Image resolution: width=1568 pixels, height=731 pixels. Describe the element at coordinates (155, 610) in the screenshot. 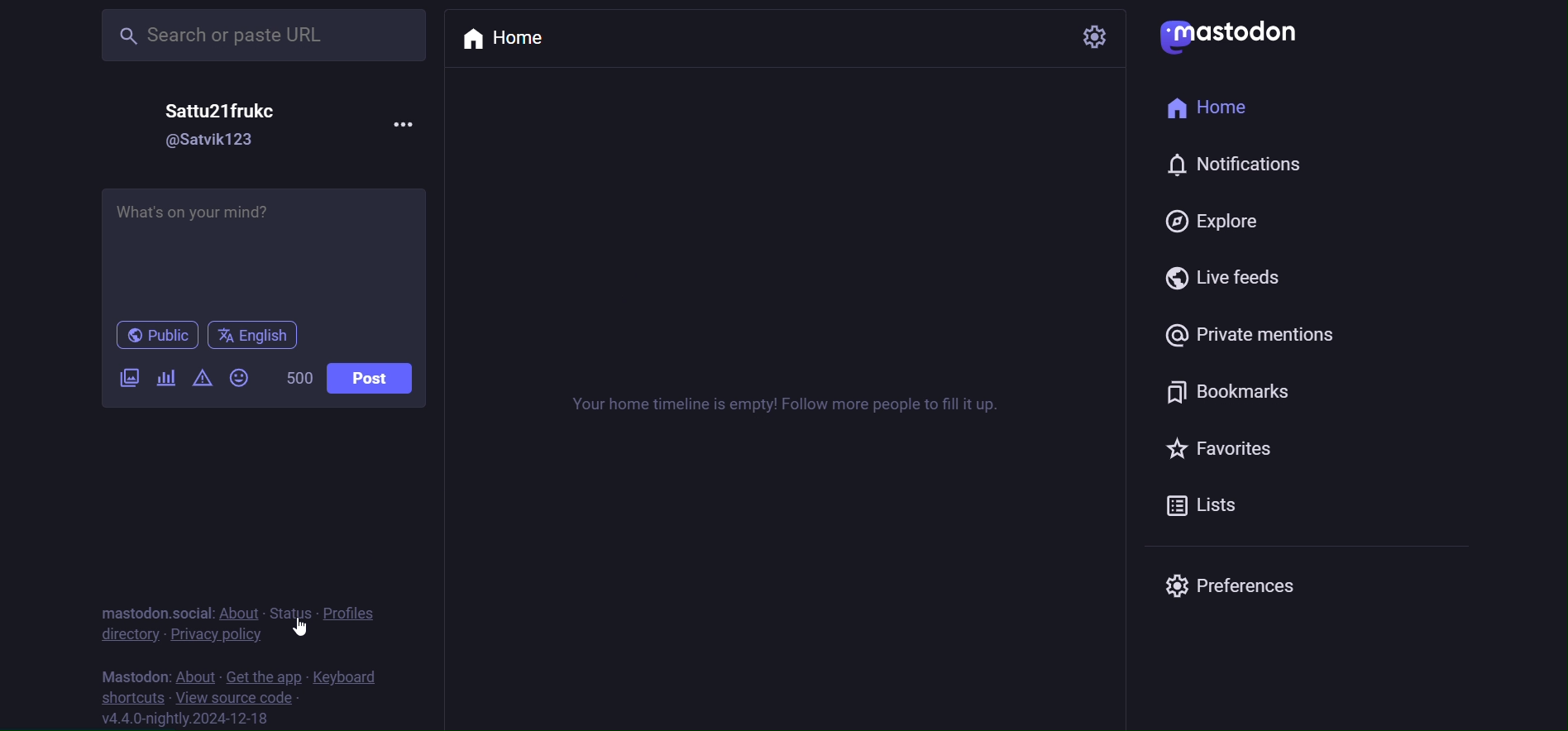

I see `text` at that location.